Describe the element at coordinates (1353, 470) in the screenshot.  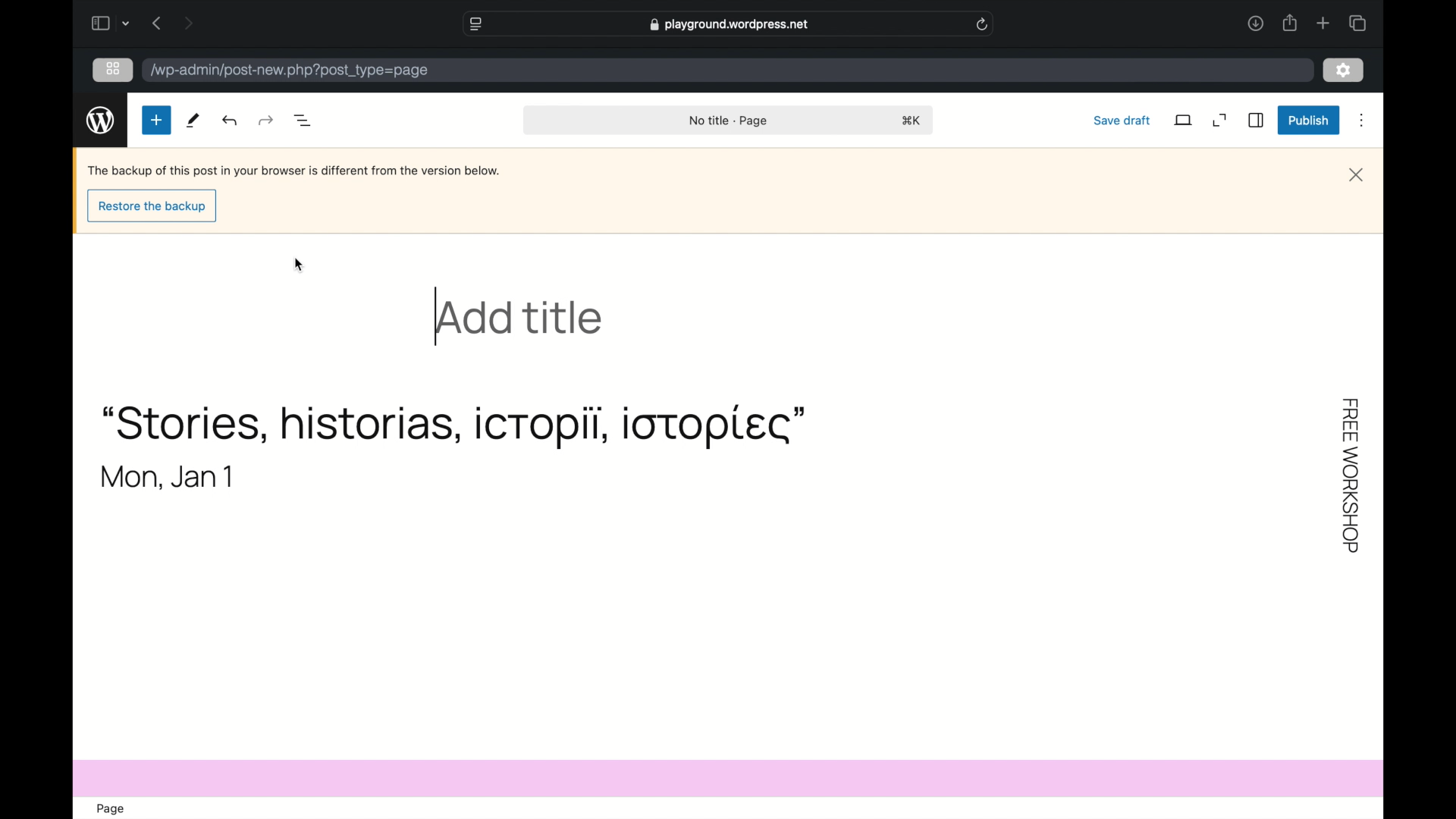
I see `template content` at that location.